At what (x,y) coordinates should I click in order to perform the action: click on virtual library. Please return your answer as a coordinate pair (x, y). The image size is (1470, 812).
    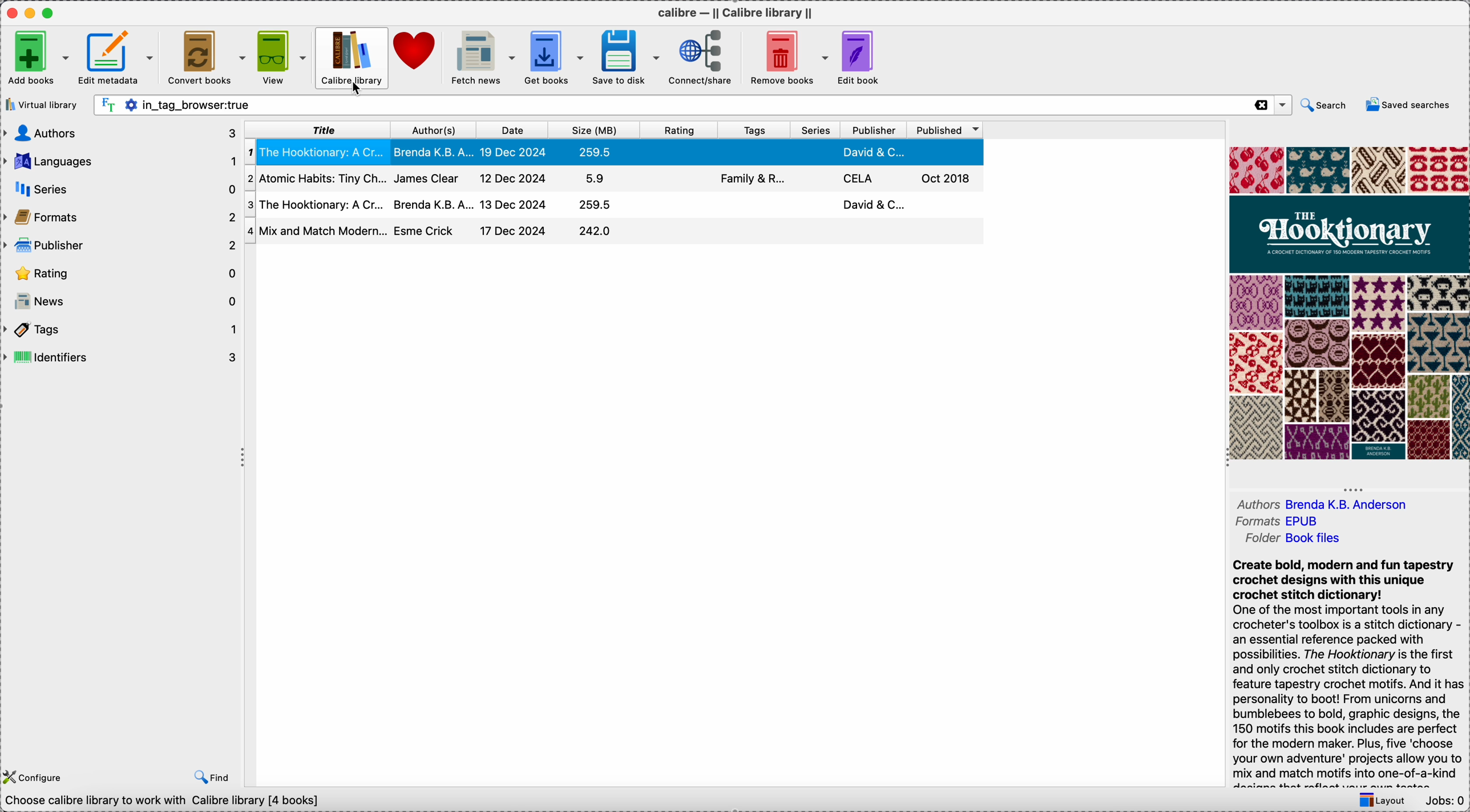
    Looking at the image, I should click on (41, 104).